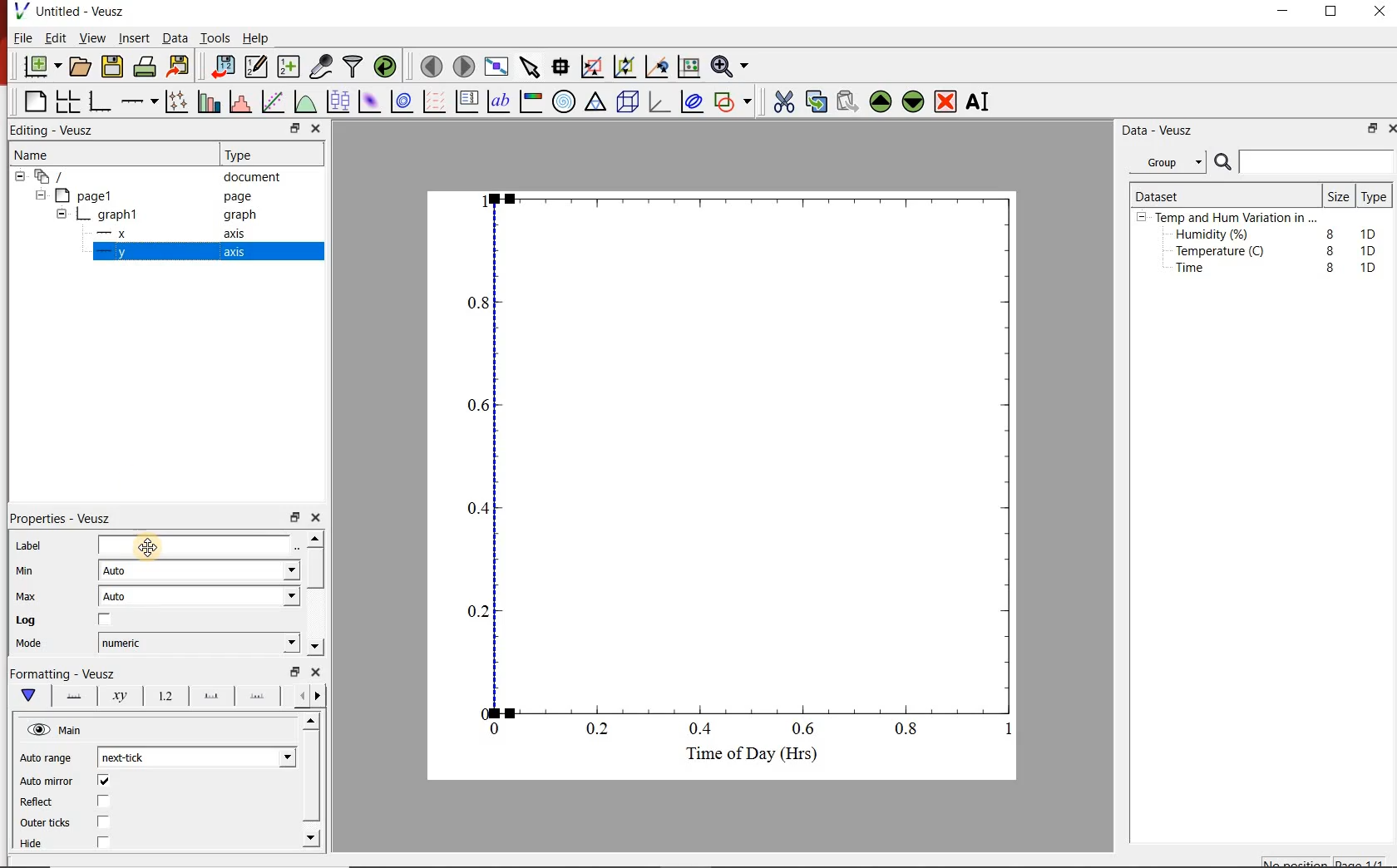 Image resolution: width=1397 pixels, height=868 pixels. I want to click on Data - Veusz, so click(1161, 131).